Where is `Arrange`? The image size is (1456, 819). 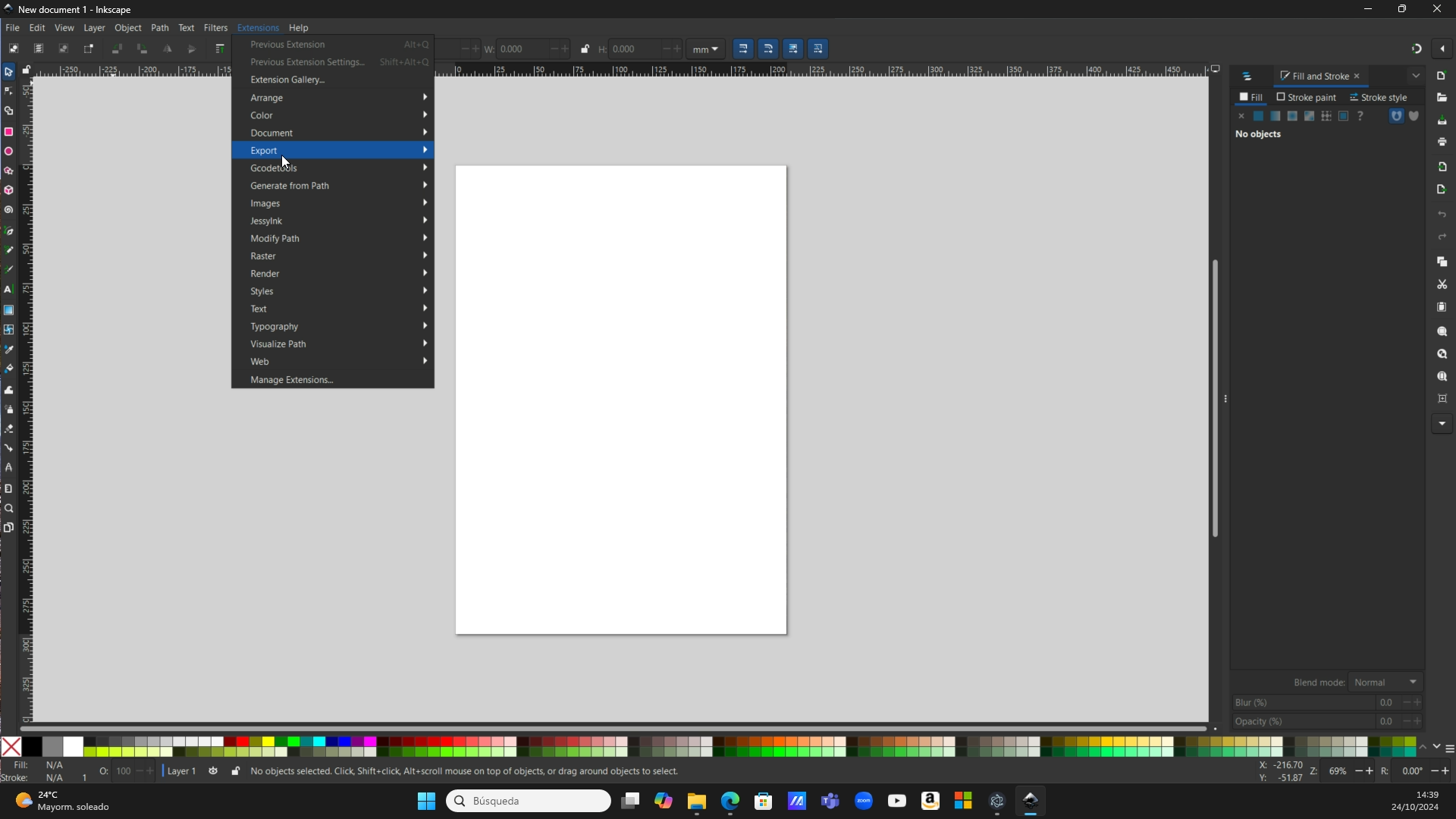
Arrange is located at coordinates (339, 100).